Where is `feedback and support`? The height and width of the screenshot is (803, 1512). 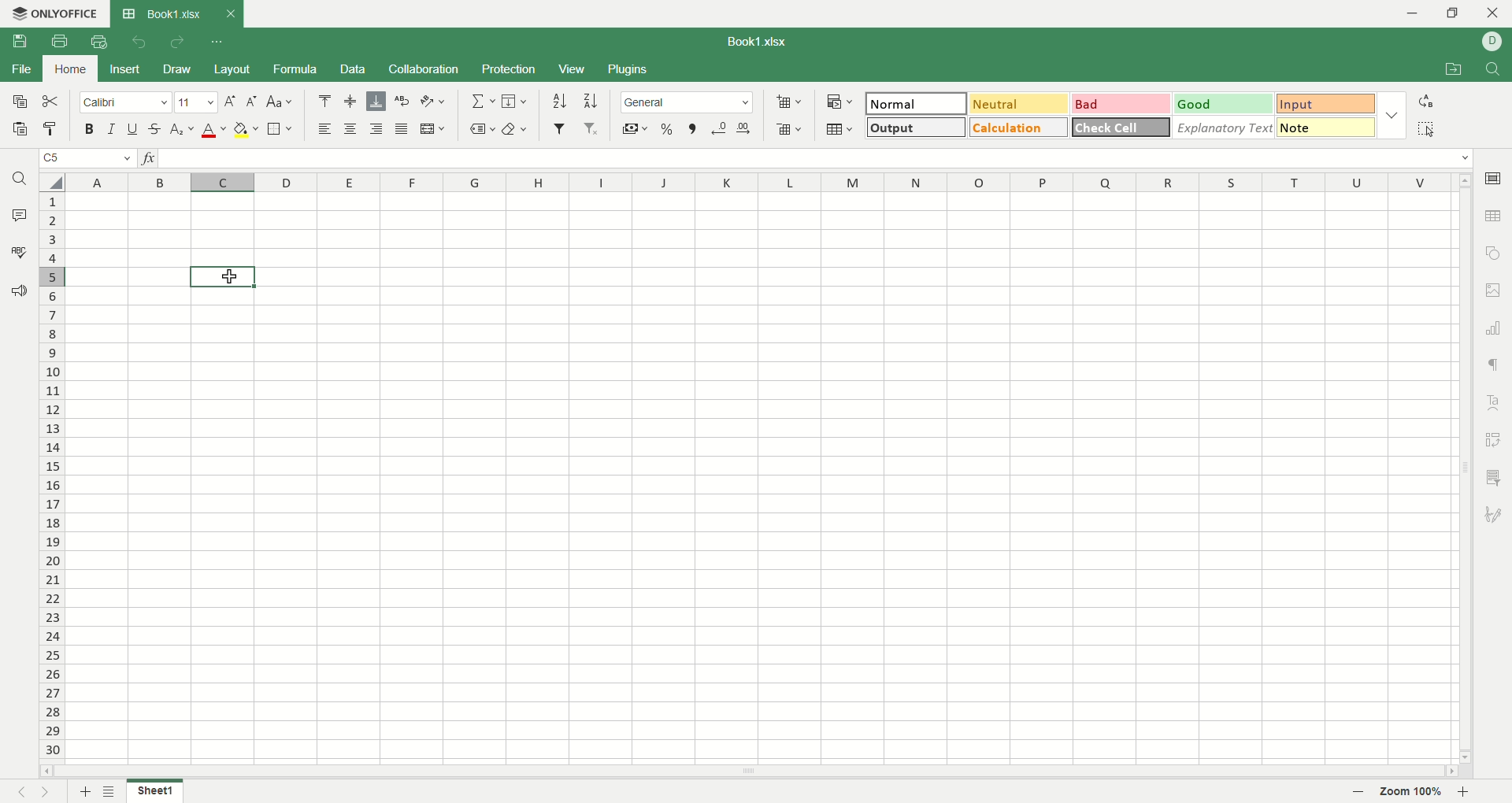
feedback and support is located at coordinates (20, 291).